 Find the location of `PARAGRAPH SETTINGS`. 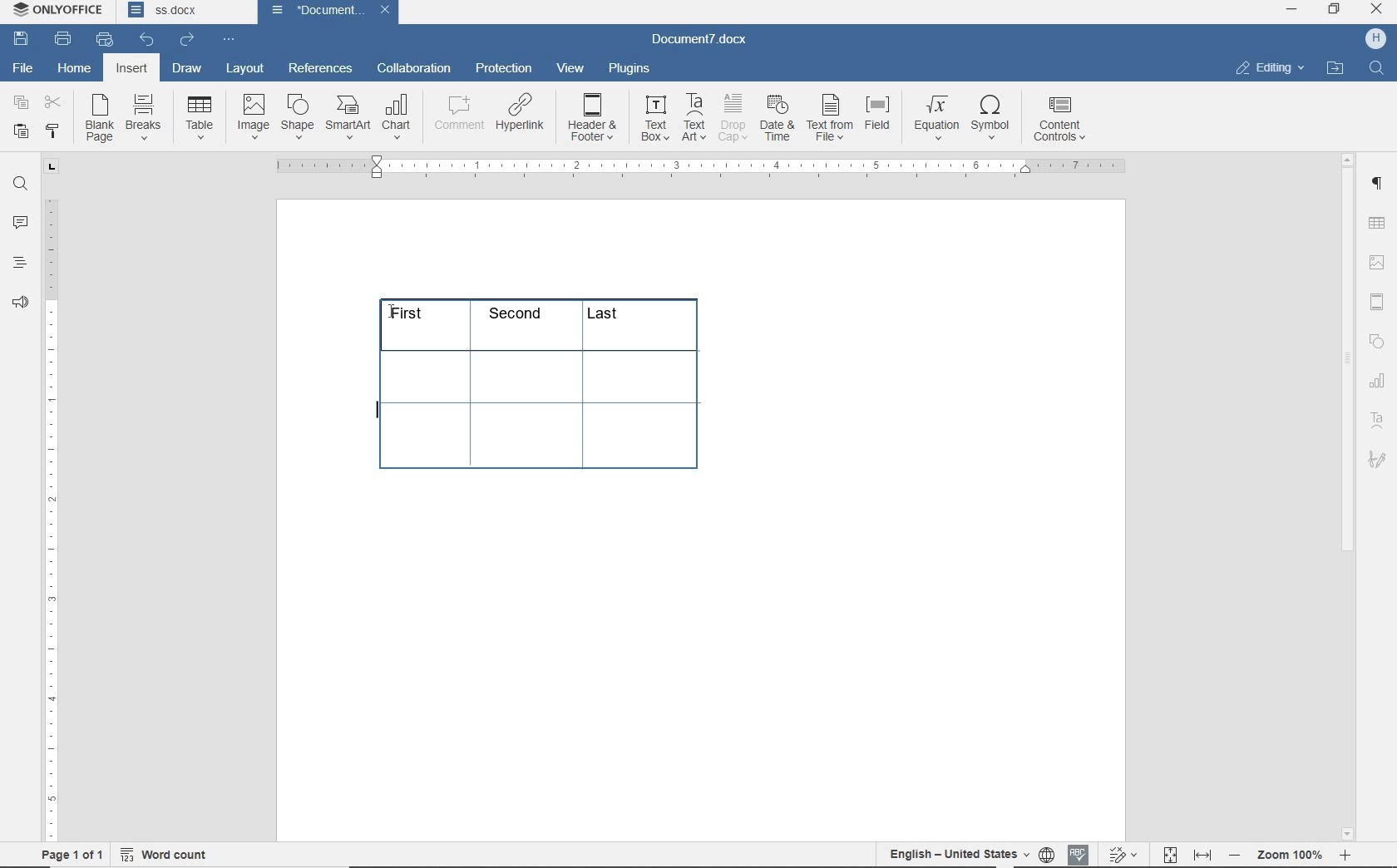

PARAGRAPH SETTINGS is located at coordinates (1377, 181).